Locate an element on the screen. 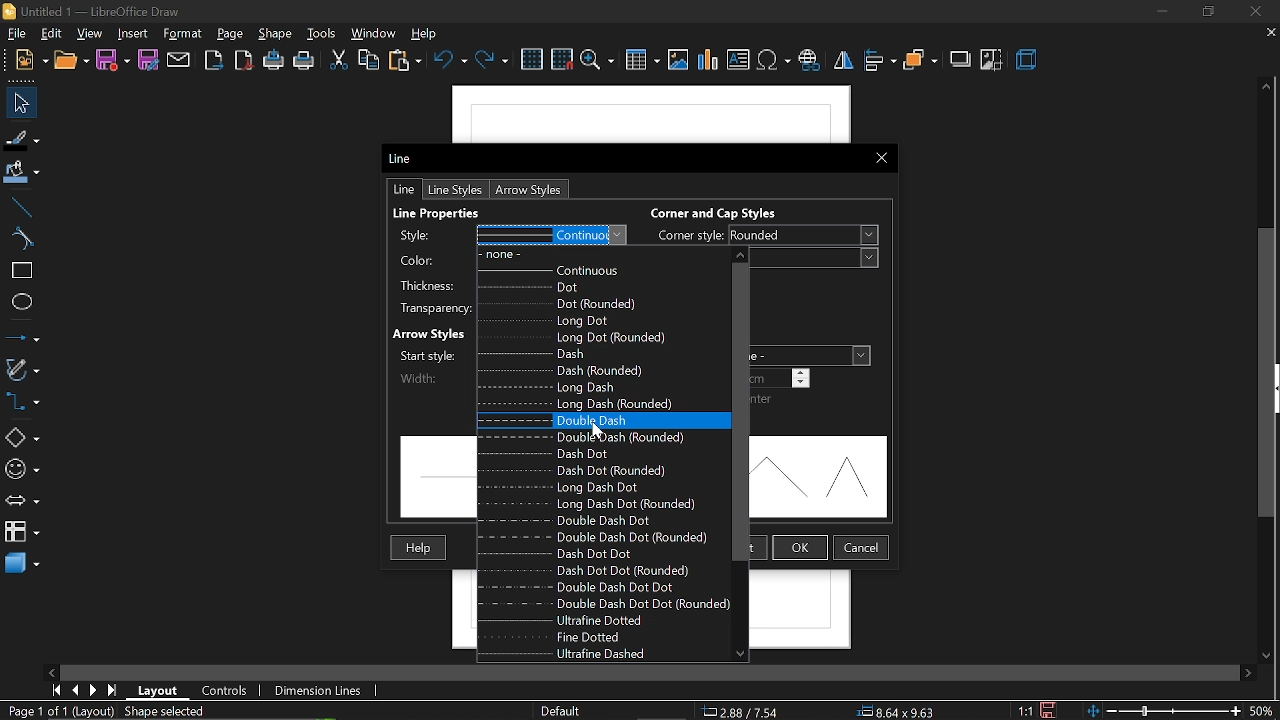  preview is located at coordinates (824, 478).